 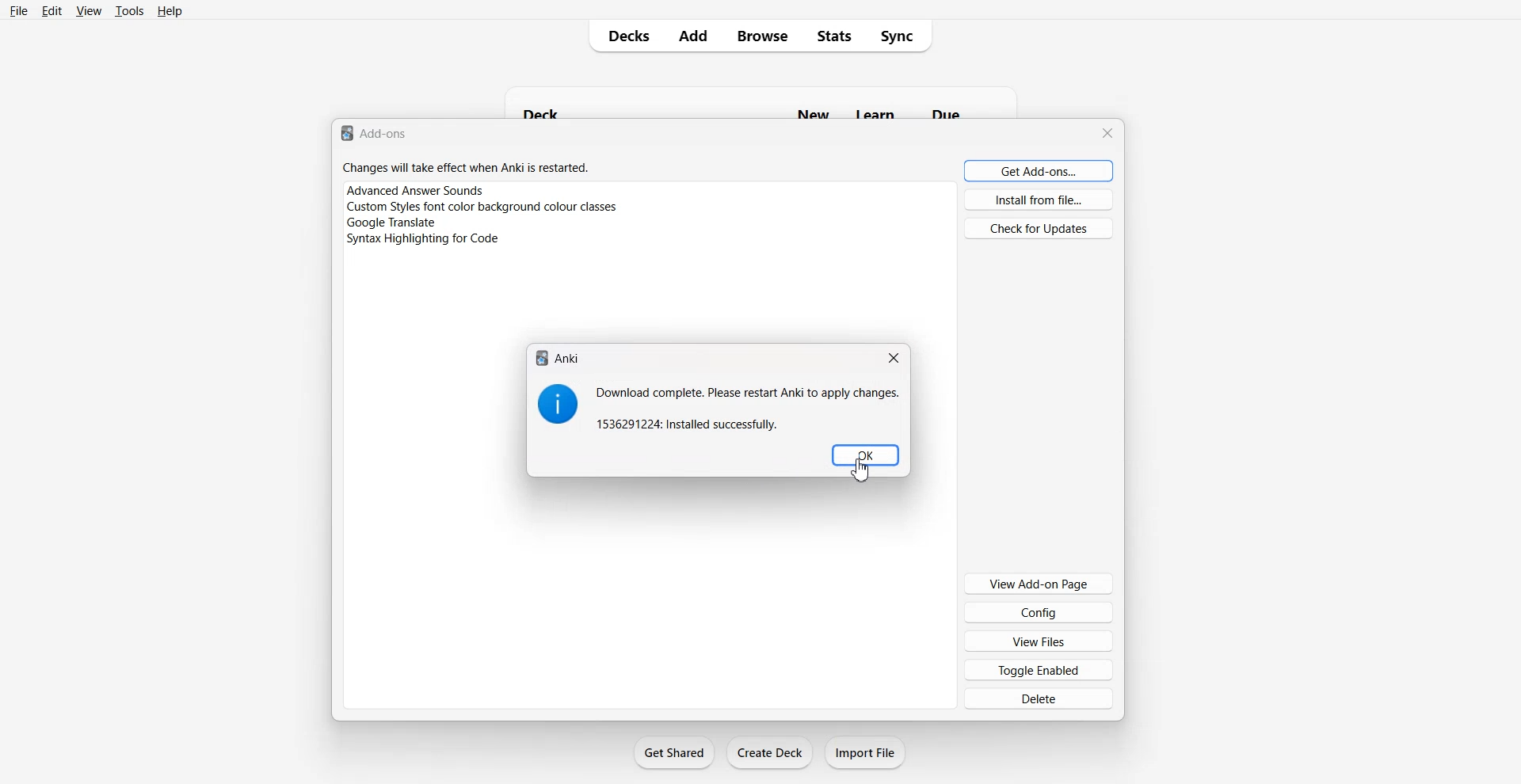 What do you see at coordinates (546, 111) in the screenshot?
I see `deck` at bounding box center [546, 111].